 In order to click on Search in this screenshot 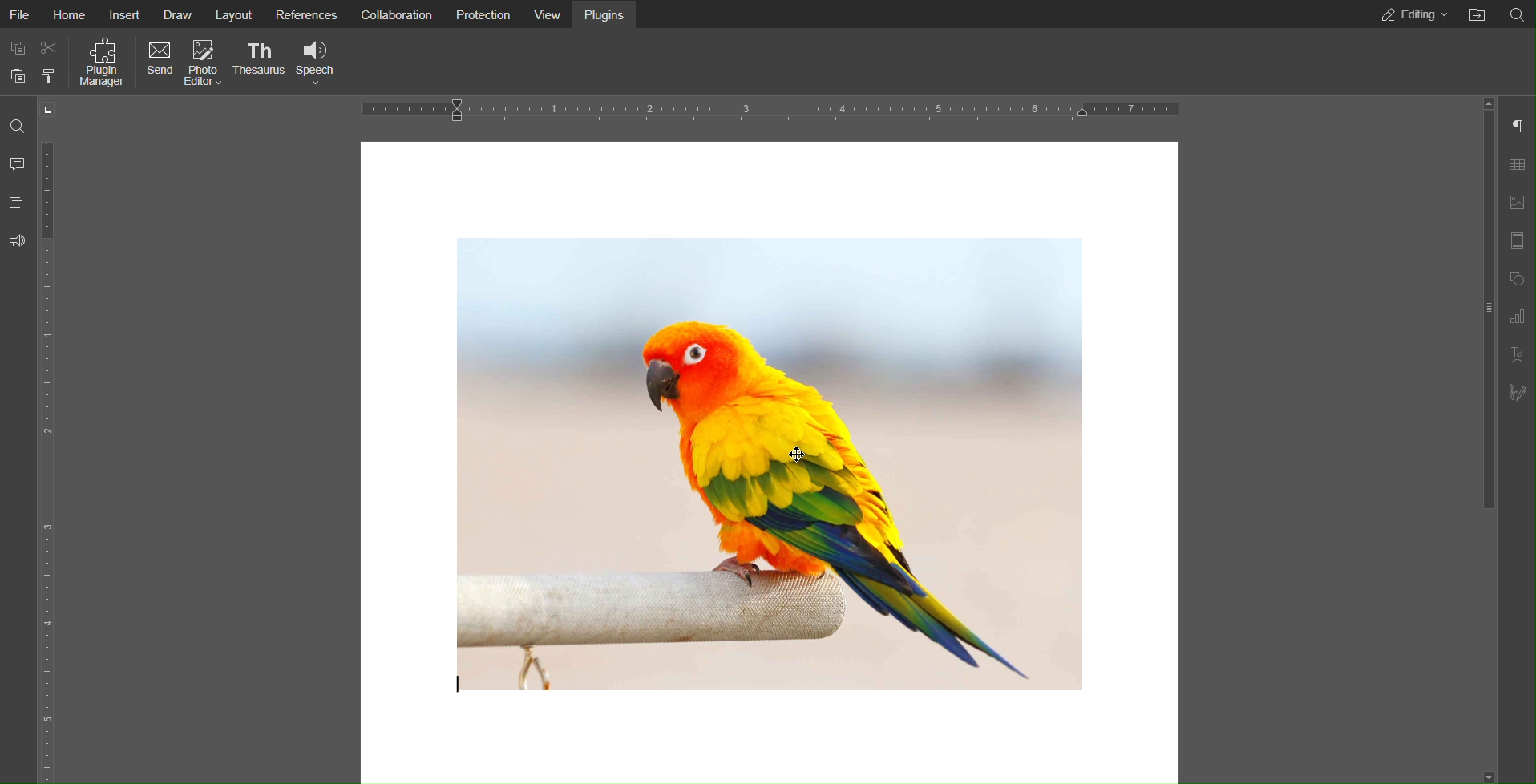, I will do `click(18, 121)`.